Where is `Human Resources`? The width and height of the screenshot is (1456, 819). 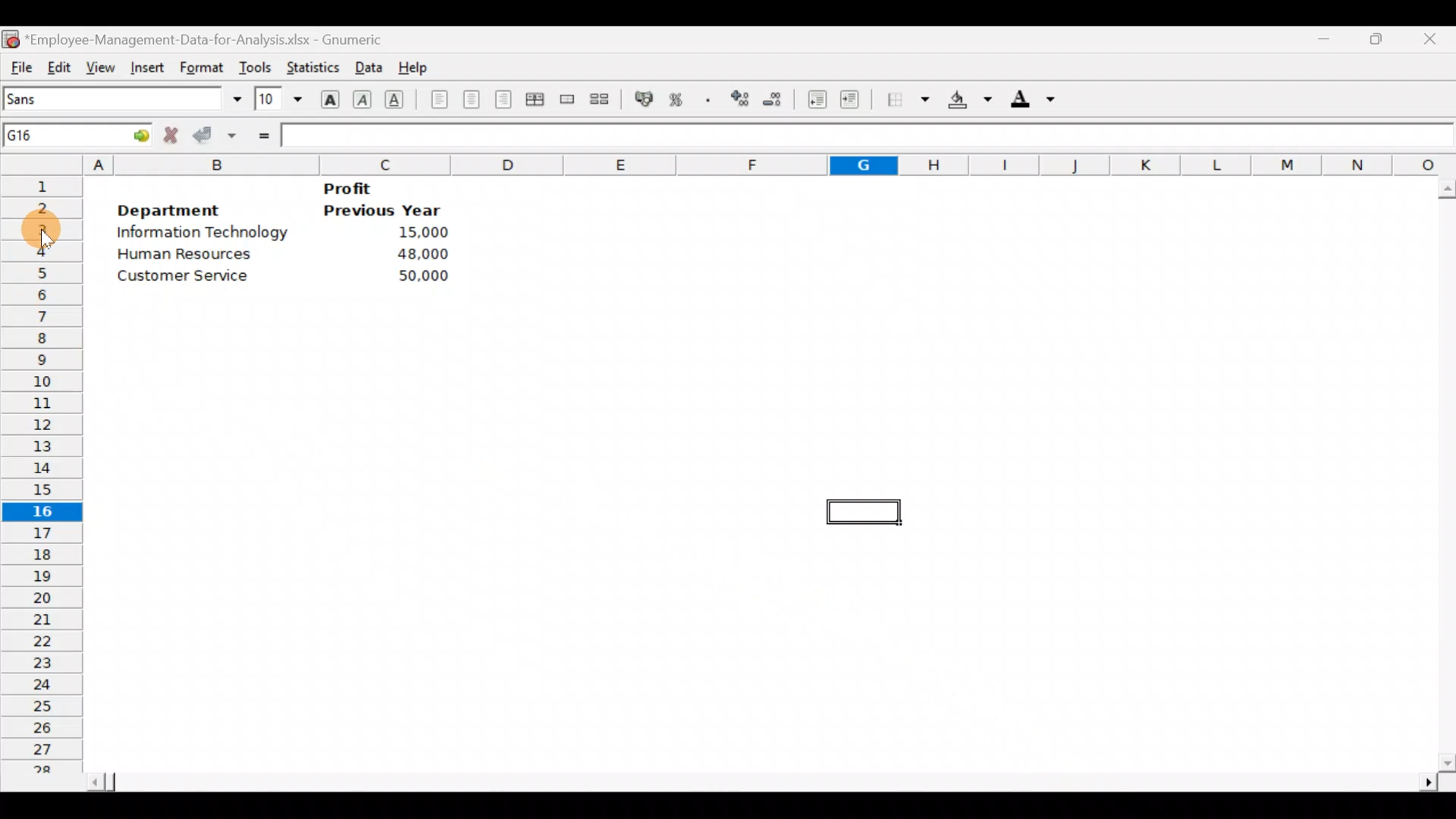 Human Resources is located at coordinates (186, 253).